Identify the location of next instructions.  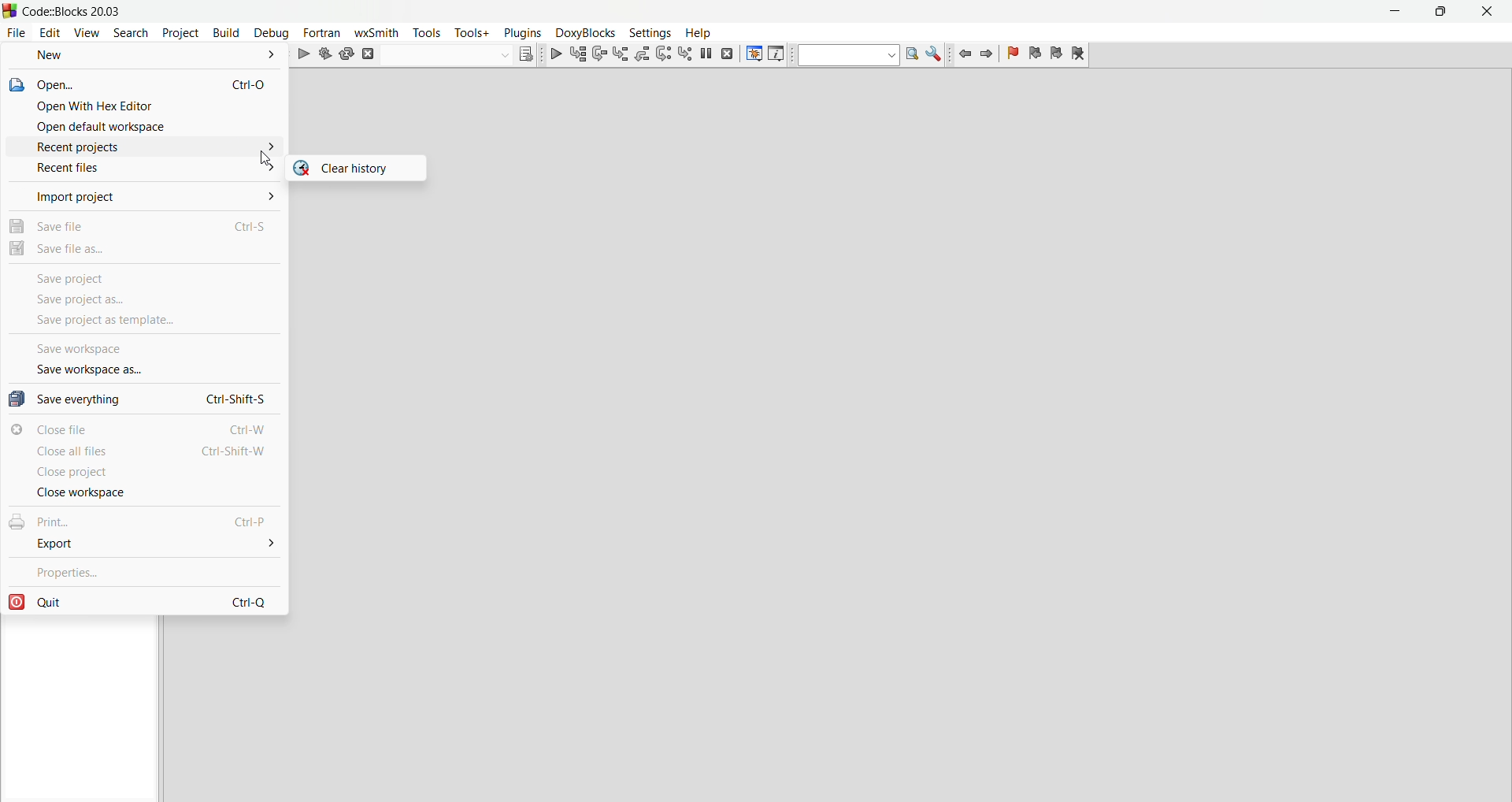
(666, 56).